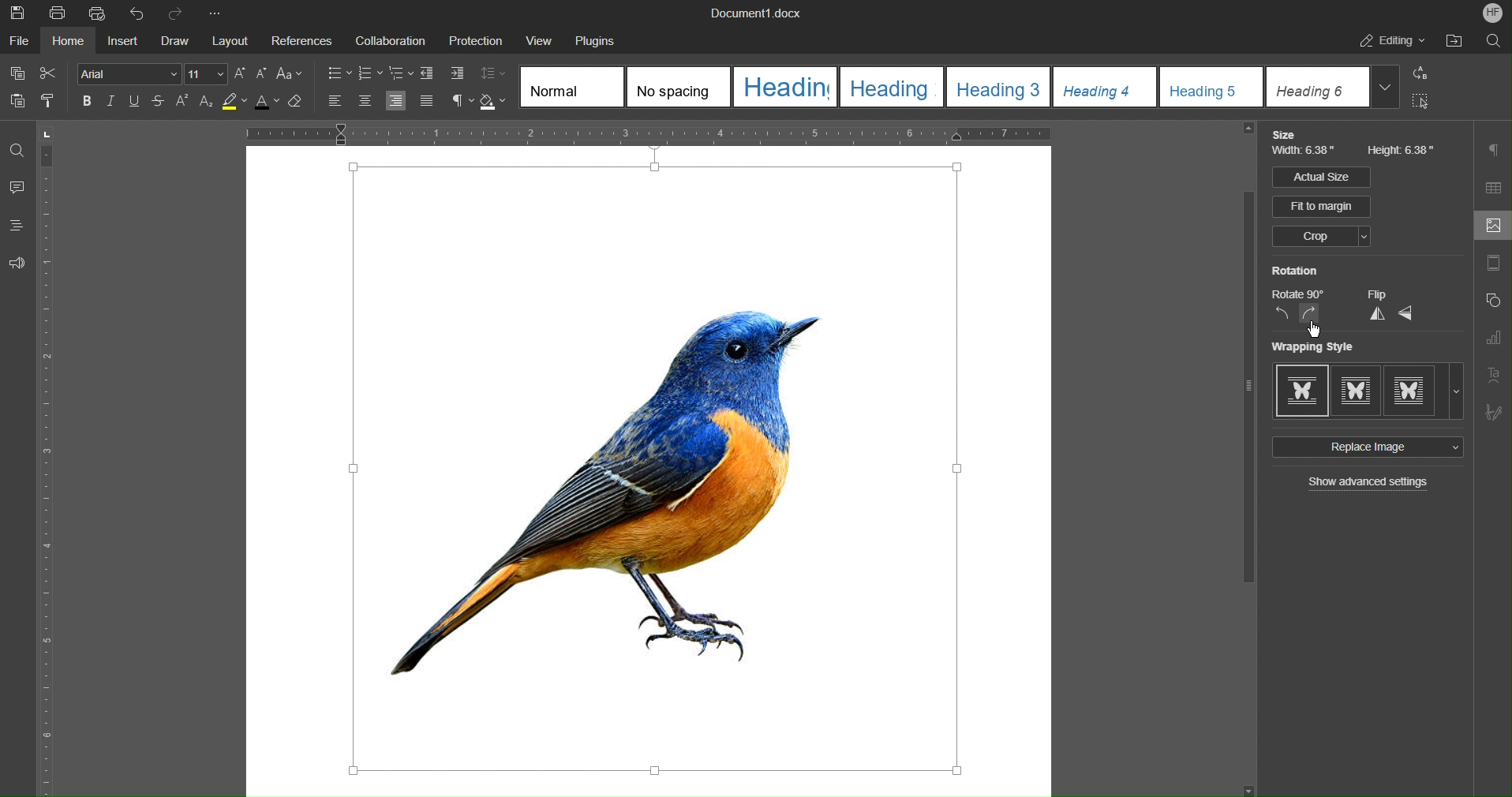  What do you see at coordinates (426, 100) in the screenshot?
I see `Justify` at bounding box center [426, 100].